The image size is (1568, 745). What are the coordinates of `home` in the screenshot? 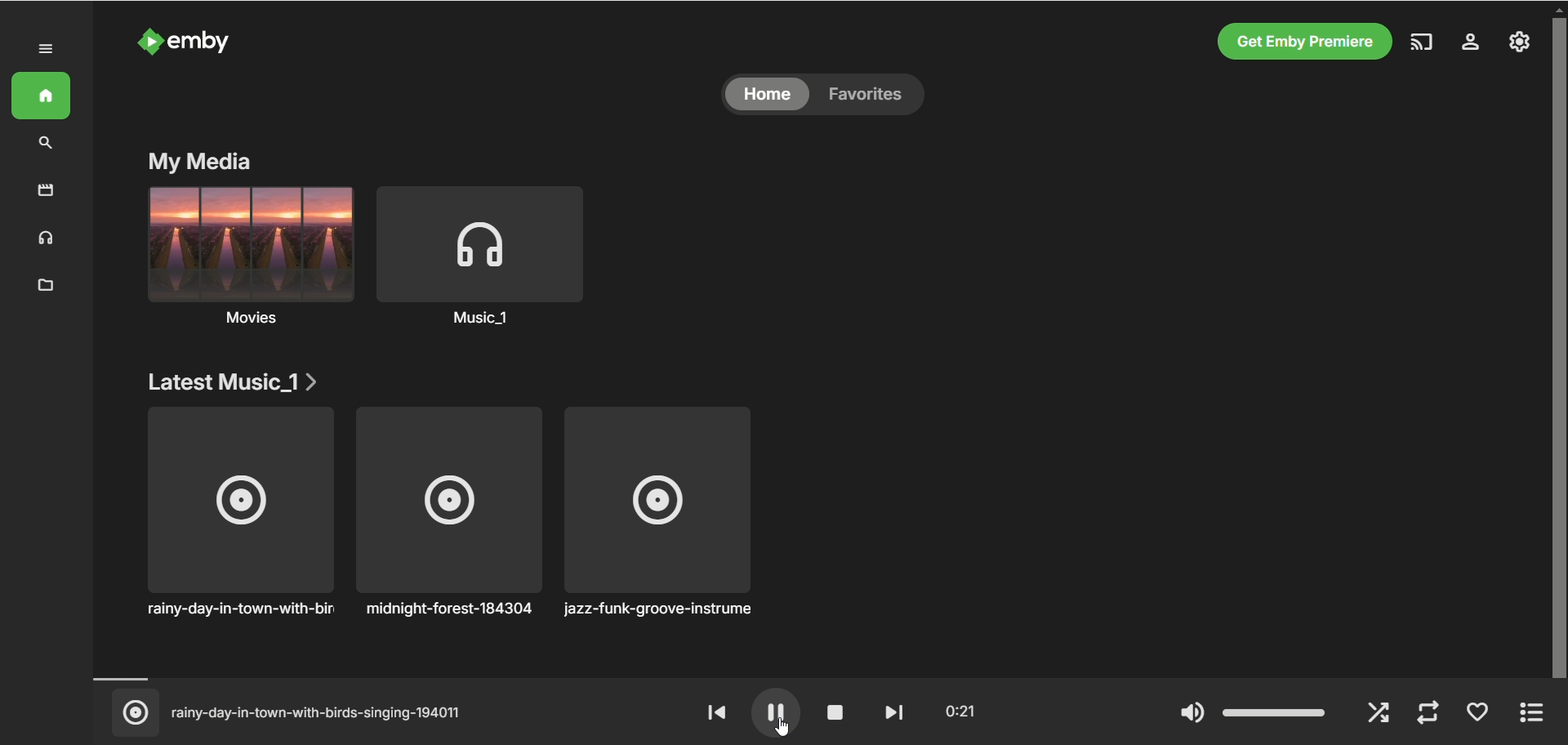 It's located at (765, 94).